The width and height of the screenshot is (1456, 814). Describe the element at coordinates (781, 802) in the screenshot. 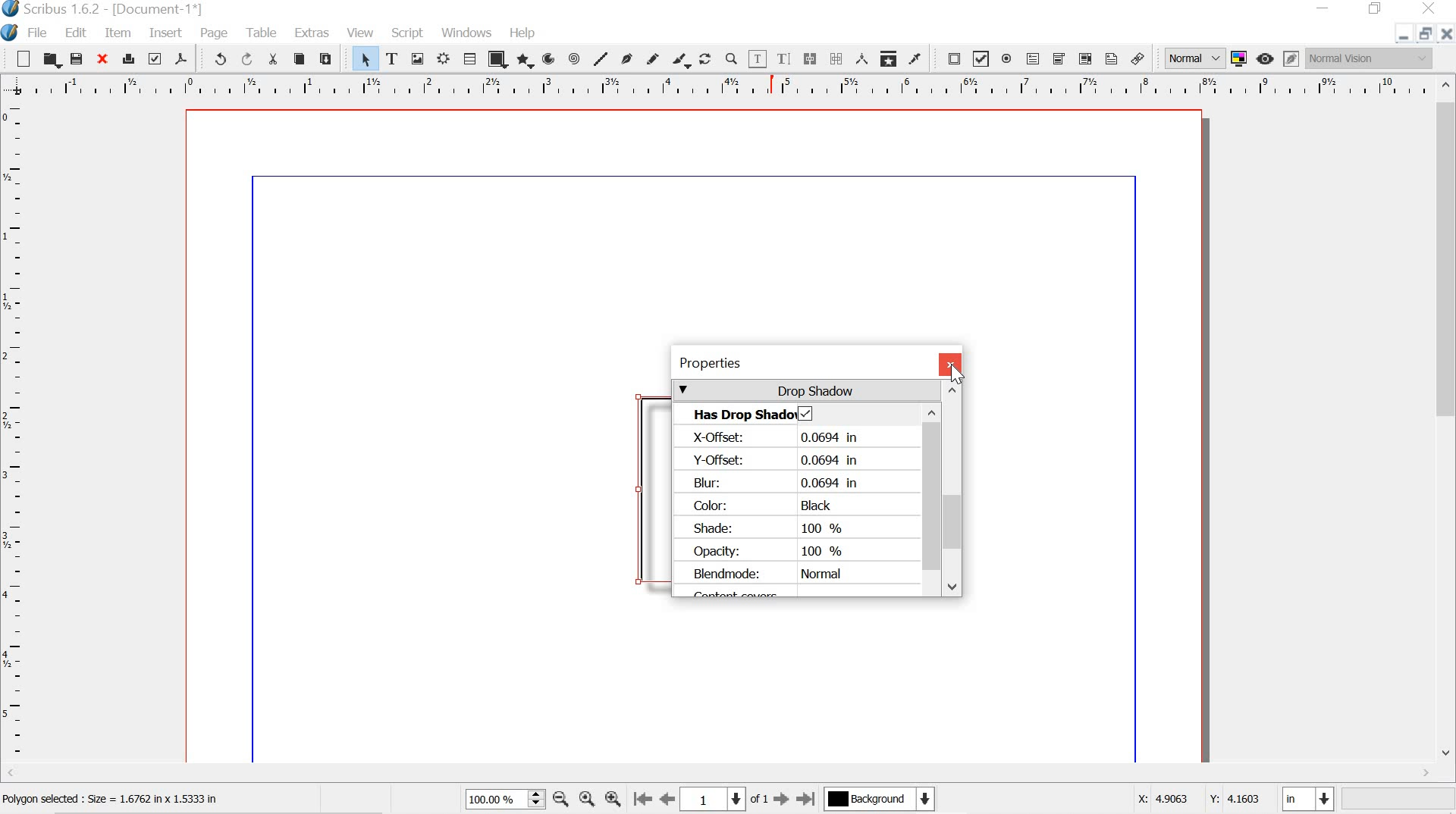

I see `go to next page` at that location.